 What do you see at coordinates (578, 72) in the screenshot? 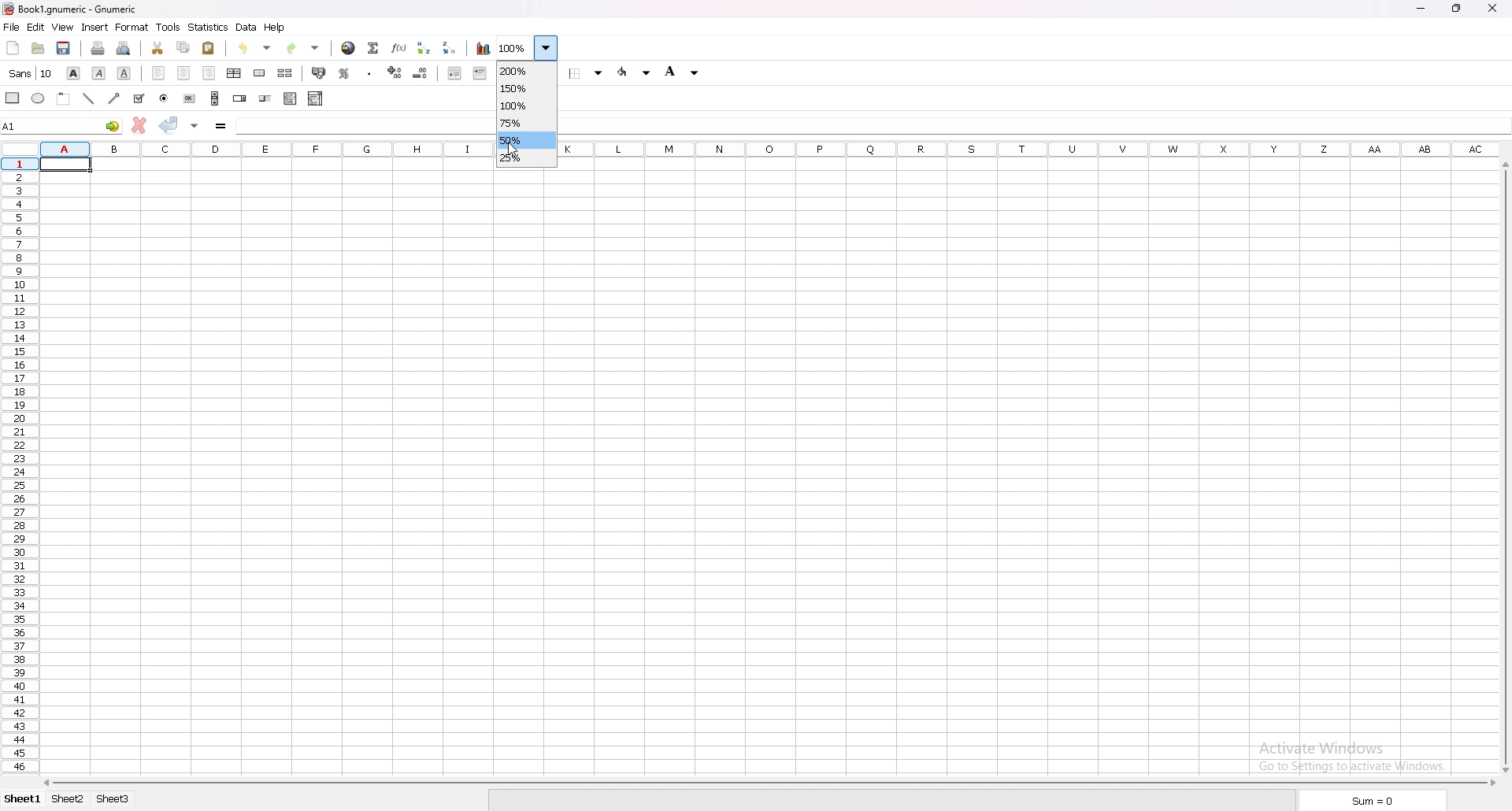
I see `border` at bounding box center [578, 72].